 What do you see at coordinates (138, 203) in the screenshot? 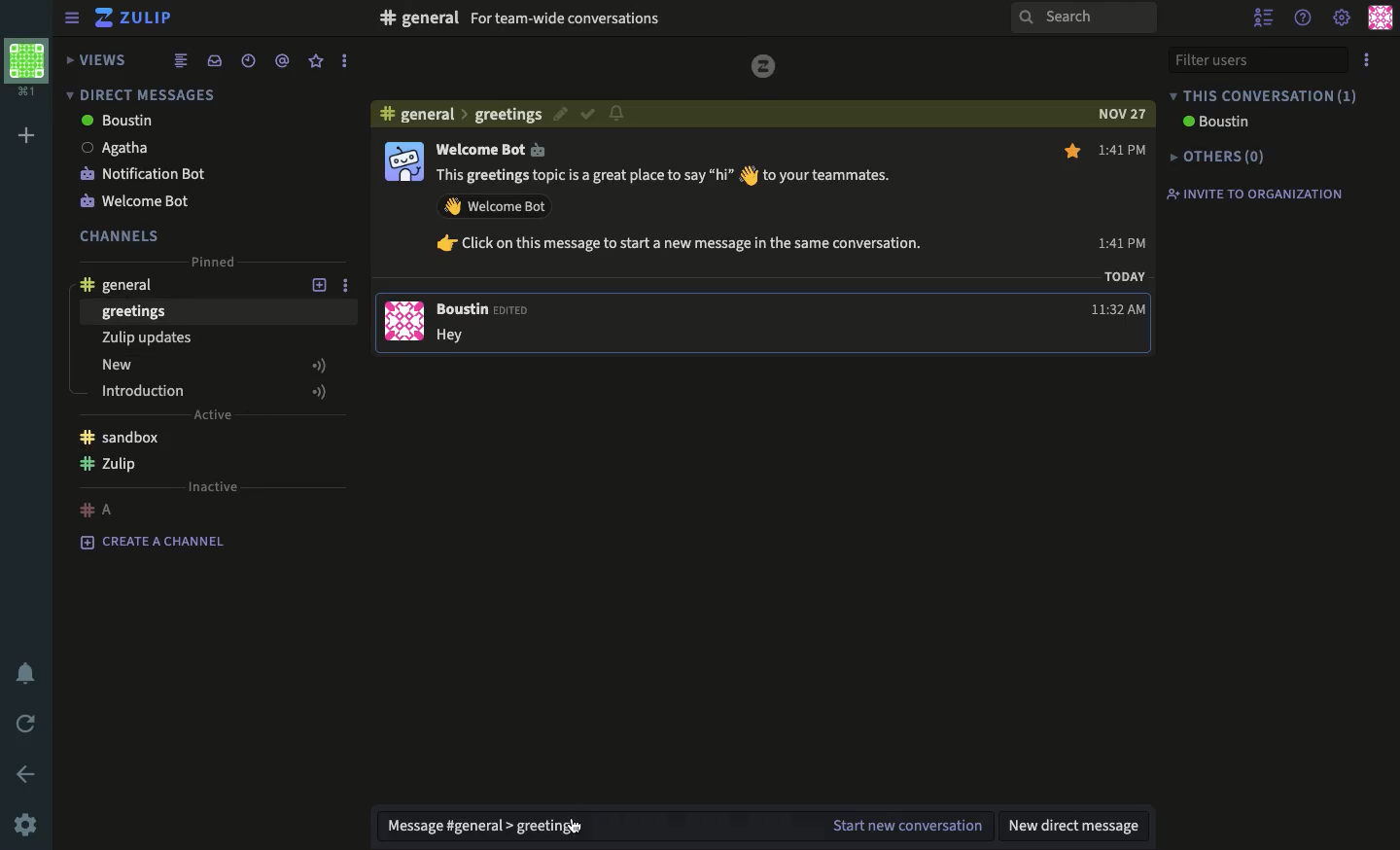
I see `welcome bot` at bounding box center [138, 203].